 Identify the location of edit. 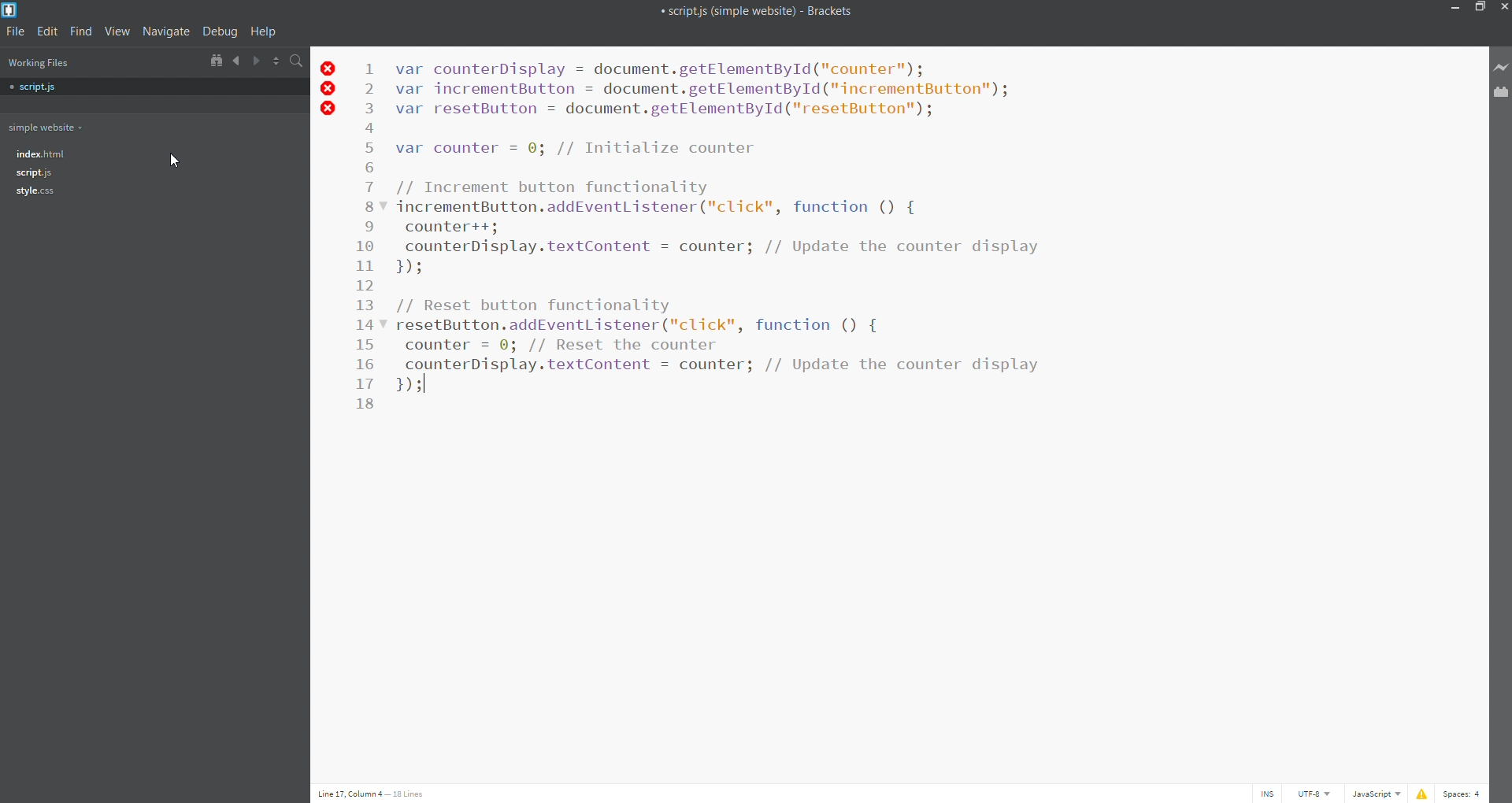
(47, 31).